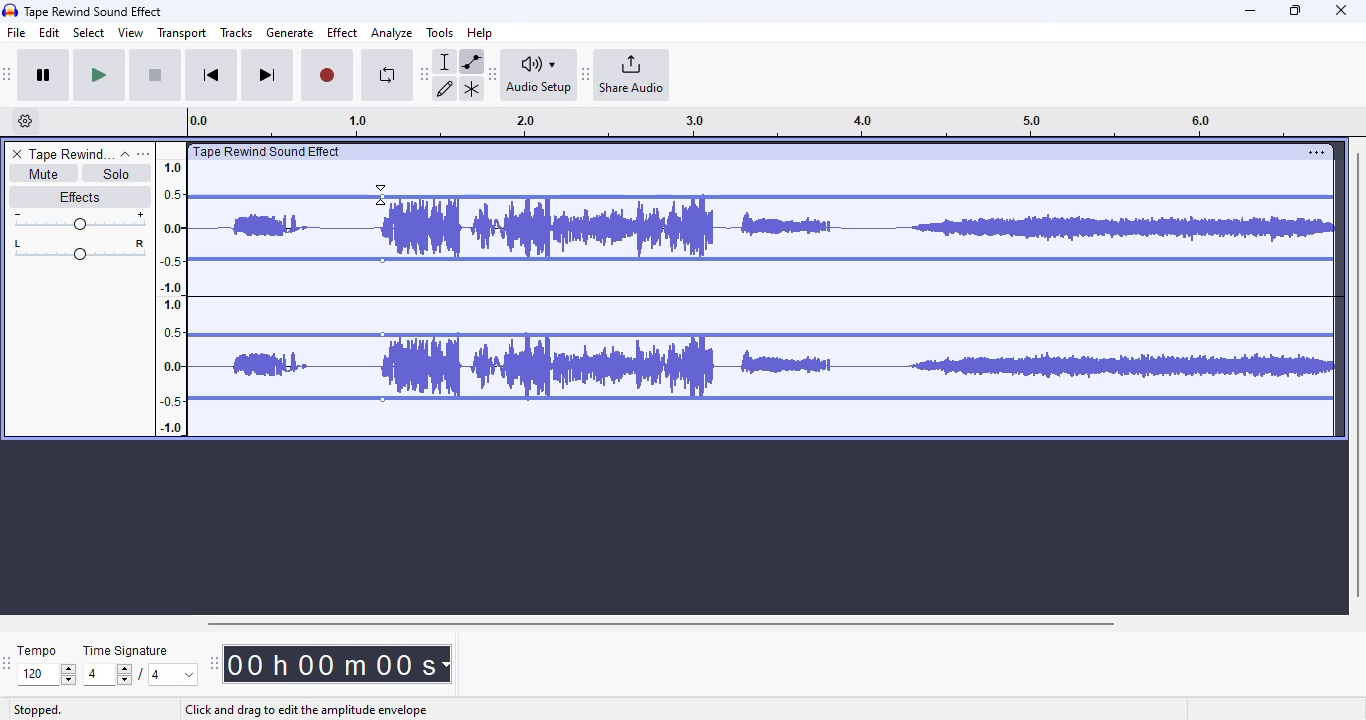 Image resolution: width=1366 pixels, height=720 pixels. What do you see at coordinates (79, 221) in the screenshot?
I see `Change volume` at bounding box center [79, 221].